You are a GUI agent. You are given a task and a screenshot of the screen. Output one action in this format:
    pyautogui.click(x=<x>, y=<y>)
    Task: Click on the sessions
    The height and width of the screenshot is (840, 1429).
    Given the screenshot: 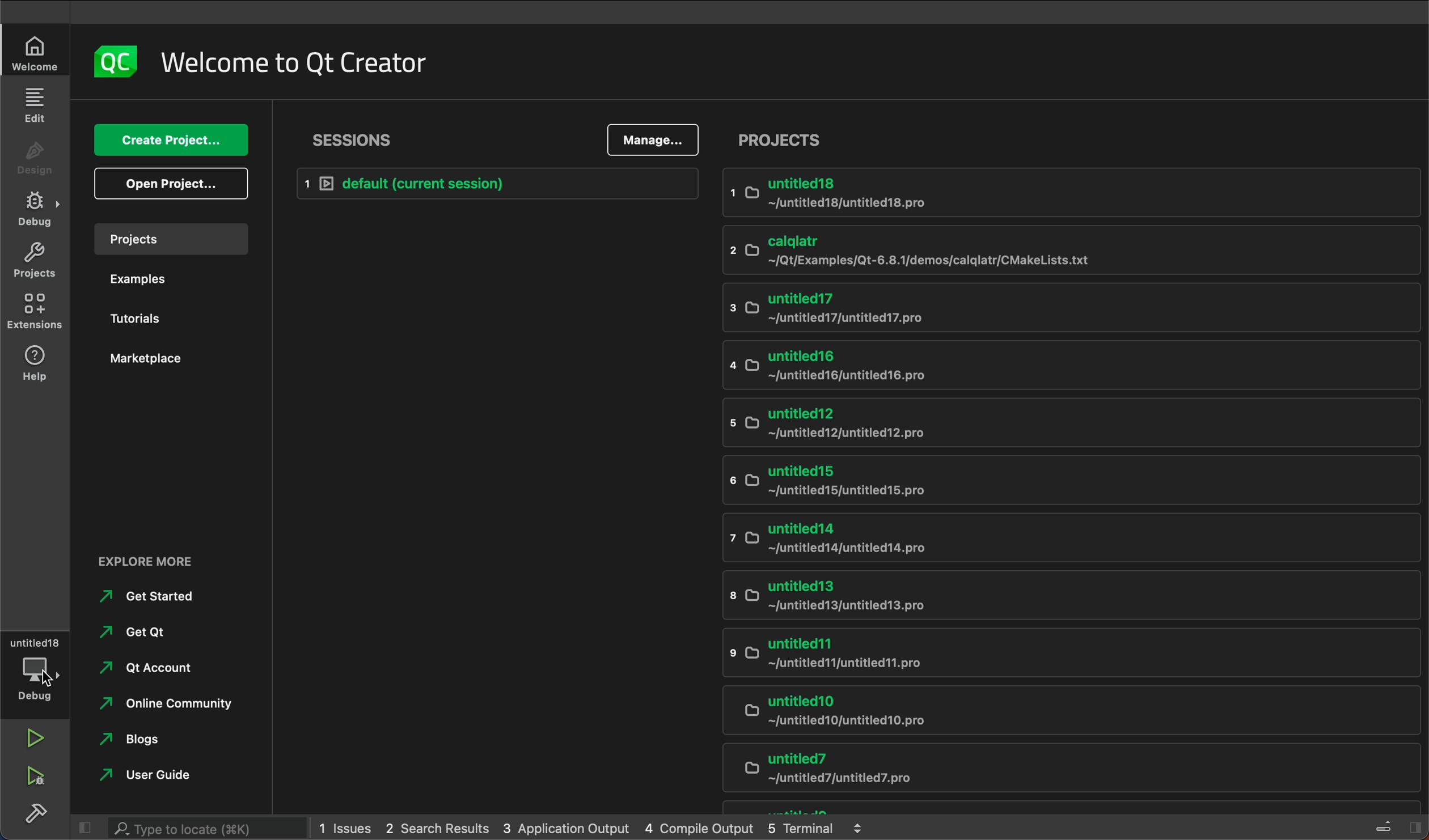 What is the action you would take?
    pyautogui.click(x=355, y=138)
    